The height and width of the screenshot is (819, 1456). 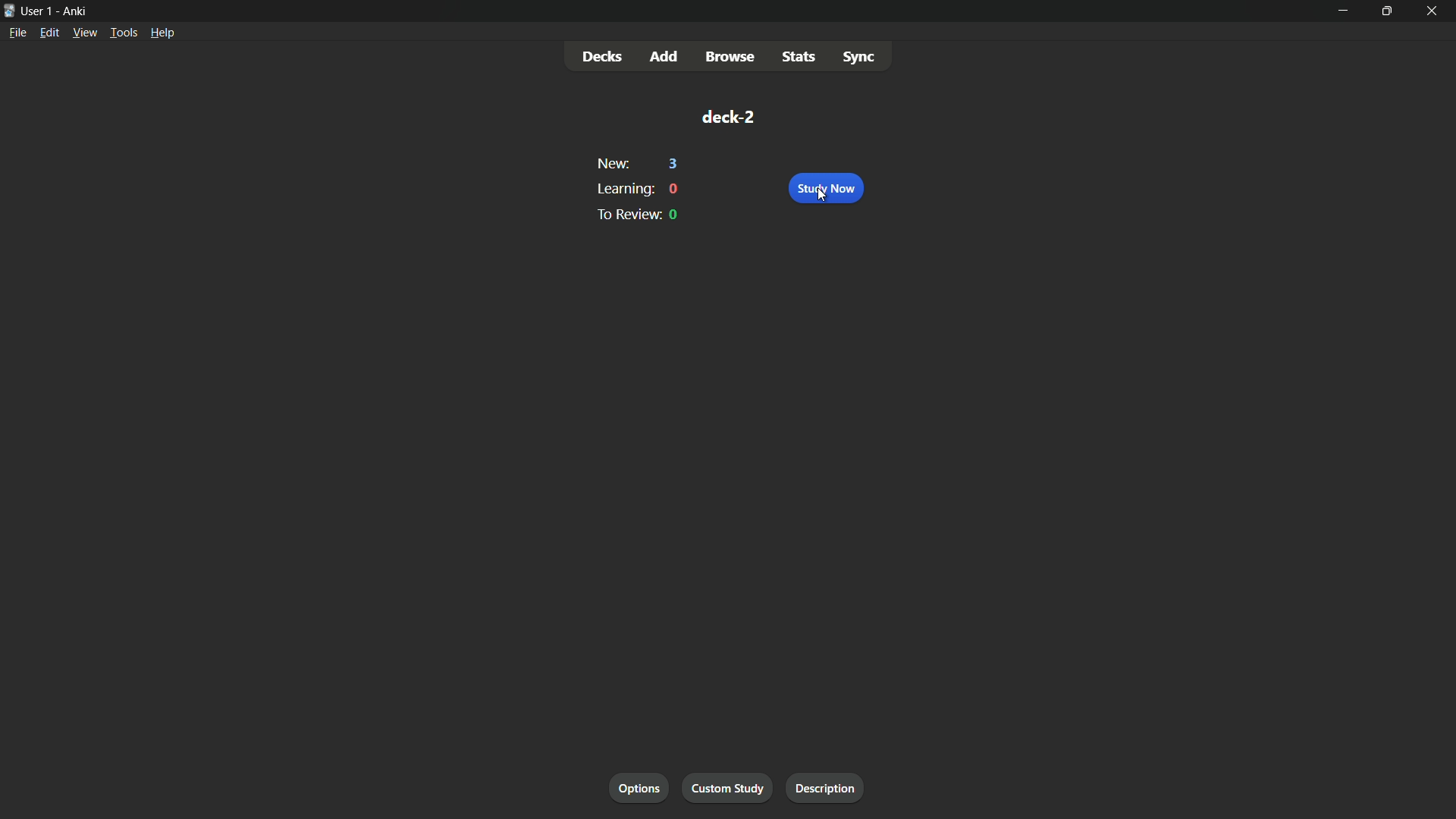 I want to click on 3, so click(x=675, y=165).